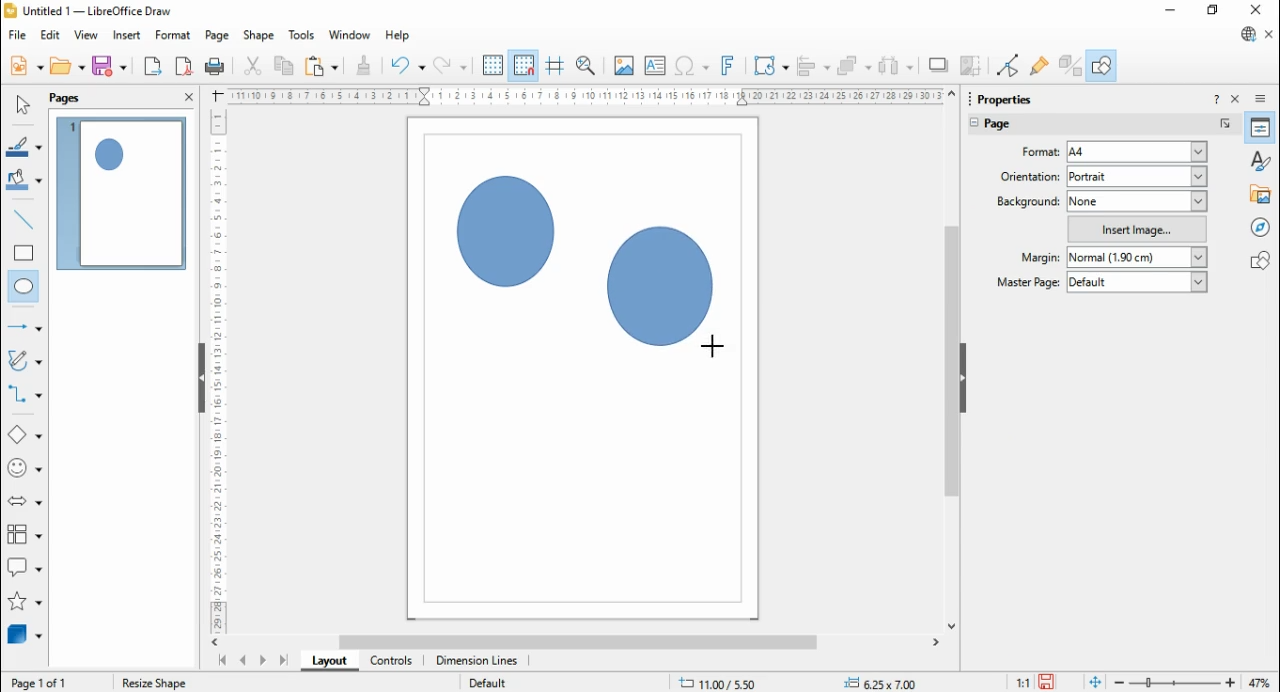 This screenshot has width=1280, height=692. What do you see at coordinates (364, 65) in the screenshot?
I see `clone formatting` at bounding box center [364, 65].